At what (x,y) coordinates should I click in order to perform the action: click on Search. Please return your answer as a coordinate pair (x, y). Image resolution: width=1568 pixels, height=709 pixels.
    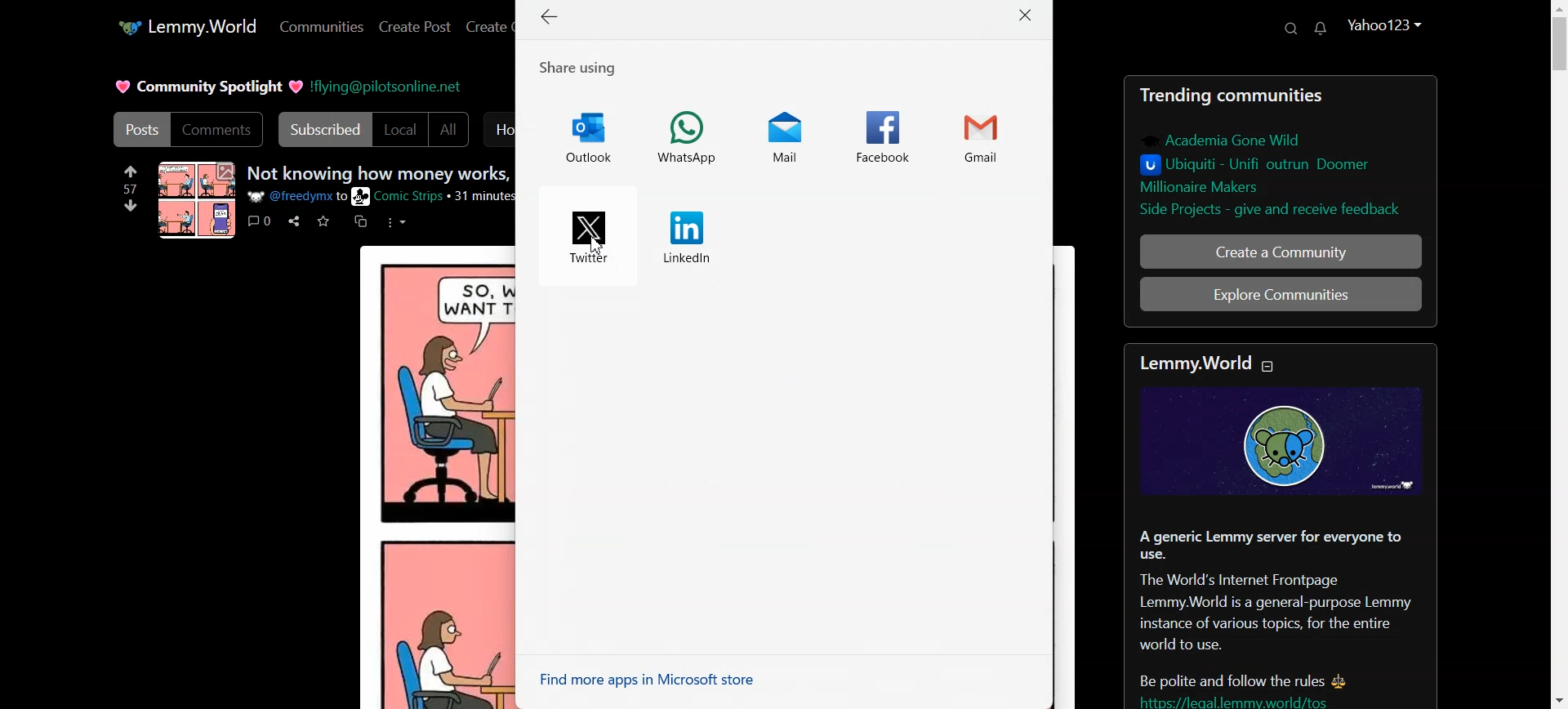
    Looking at the image, I should click on (1290, 29).